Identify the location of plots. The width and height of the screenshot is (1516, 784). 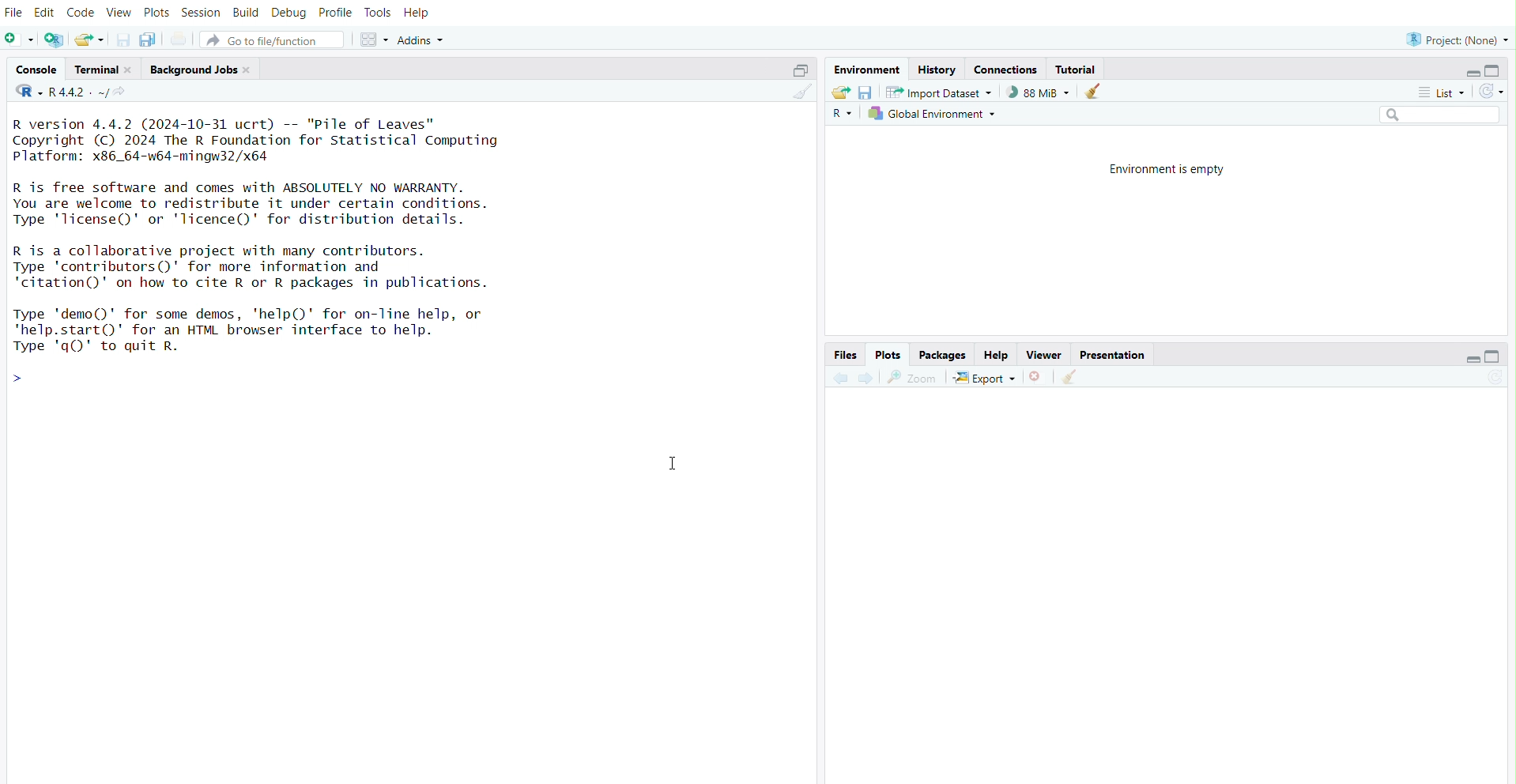
(156, 10).